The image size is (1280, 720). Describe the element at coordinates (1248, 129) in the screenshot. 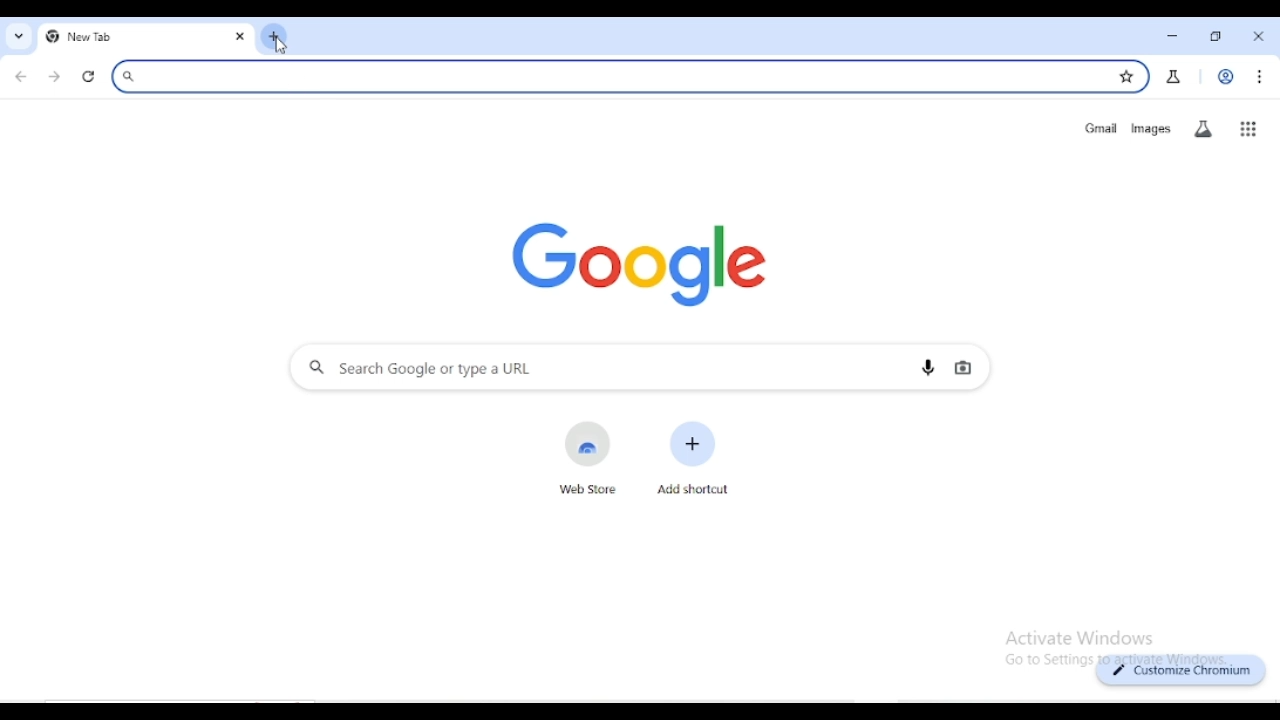

I see `google apps` at that location.